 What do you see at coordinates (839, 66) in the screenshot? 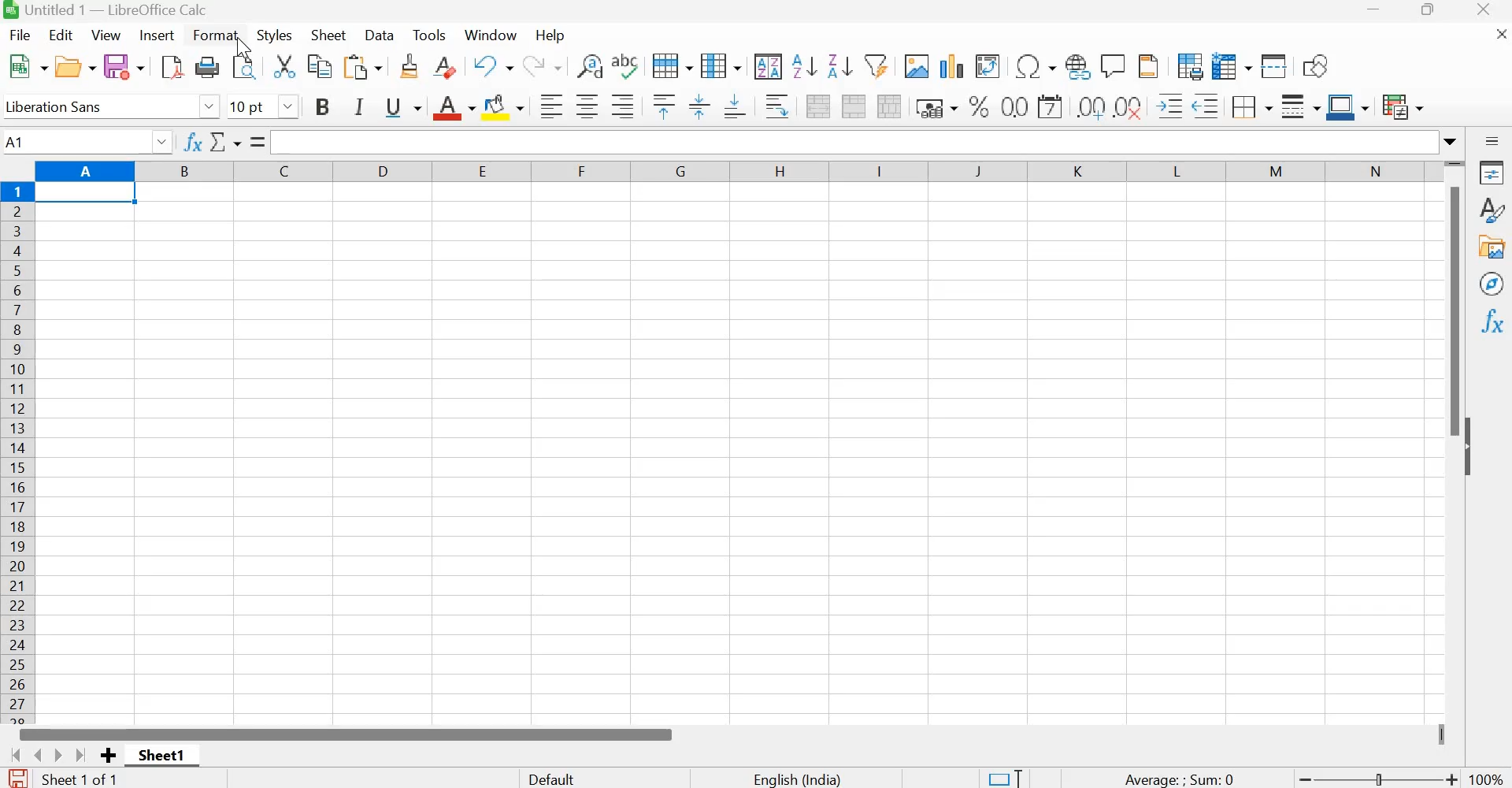
I see `Sort descending` at bounding box center [839, 66].